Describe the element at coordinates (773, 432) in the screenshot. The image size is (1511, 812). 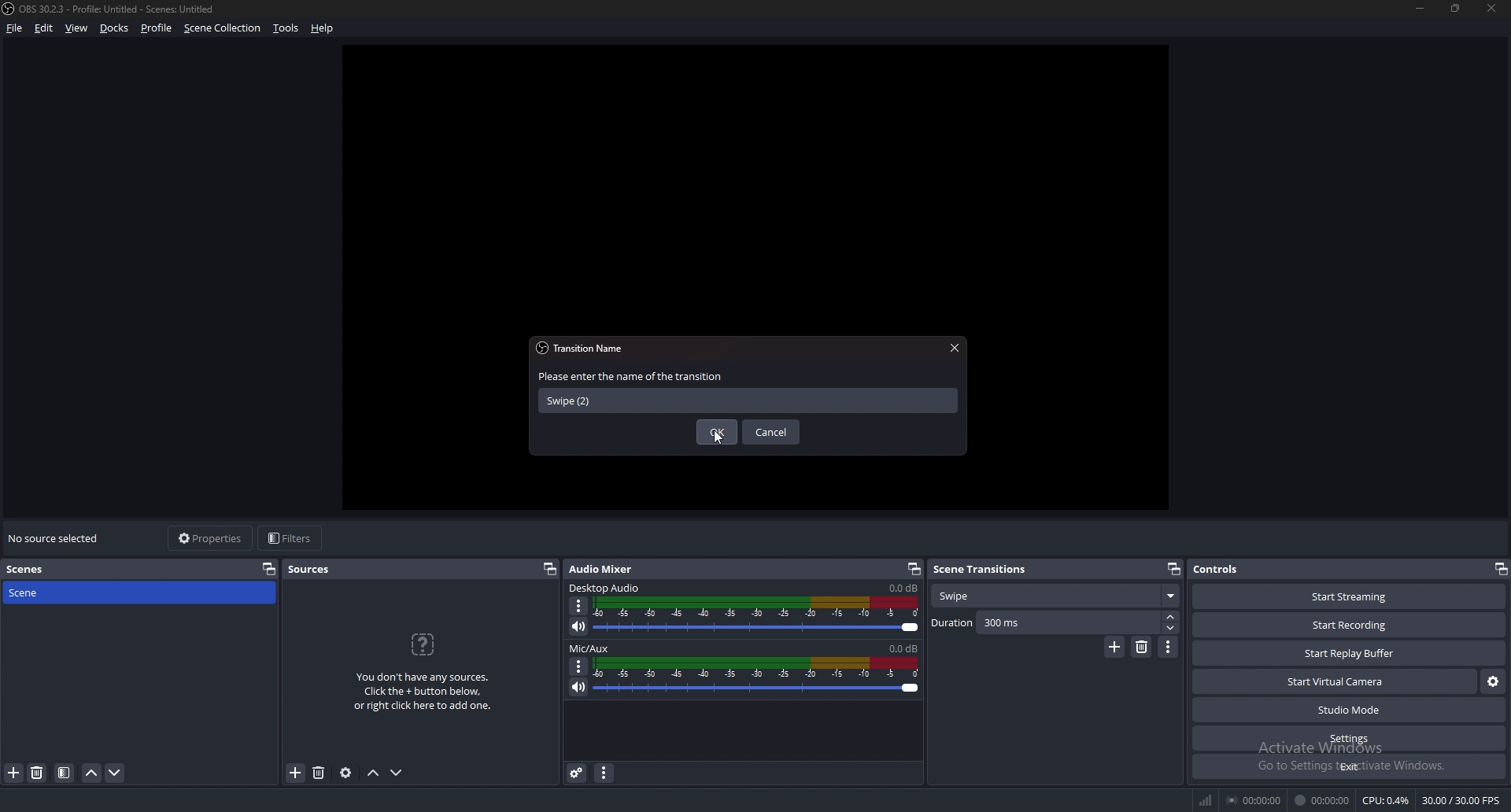
I see `cancel` at that location.